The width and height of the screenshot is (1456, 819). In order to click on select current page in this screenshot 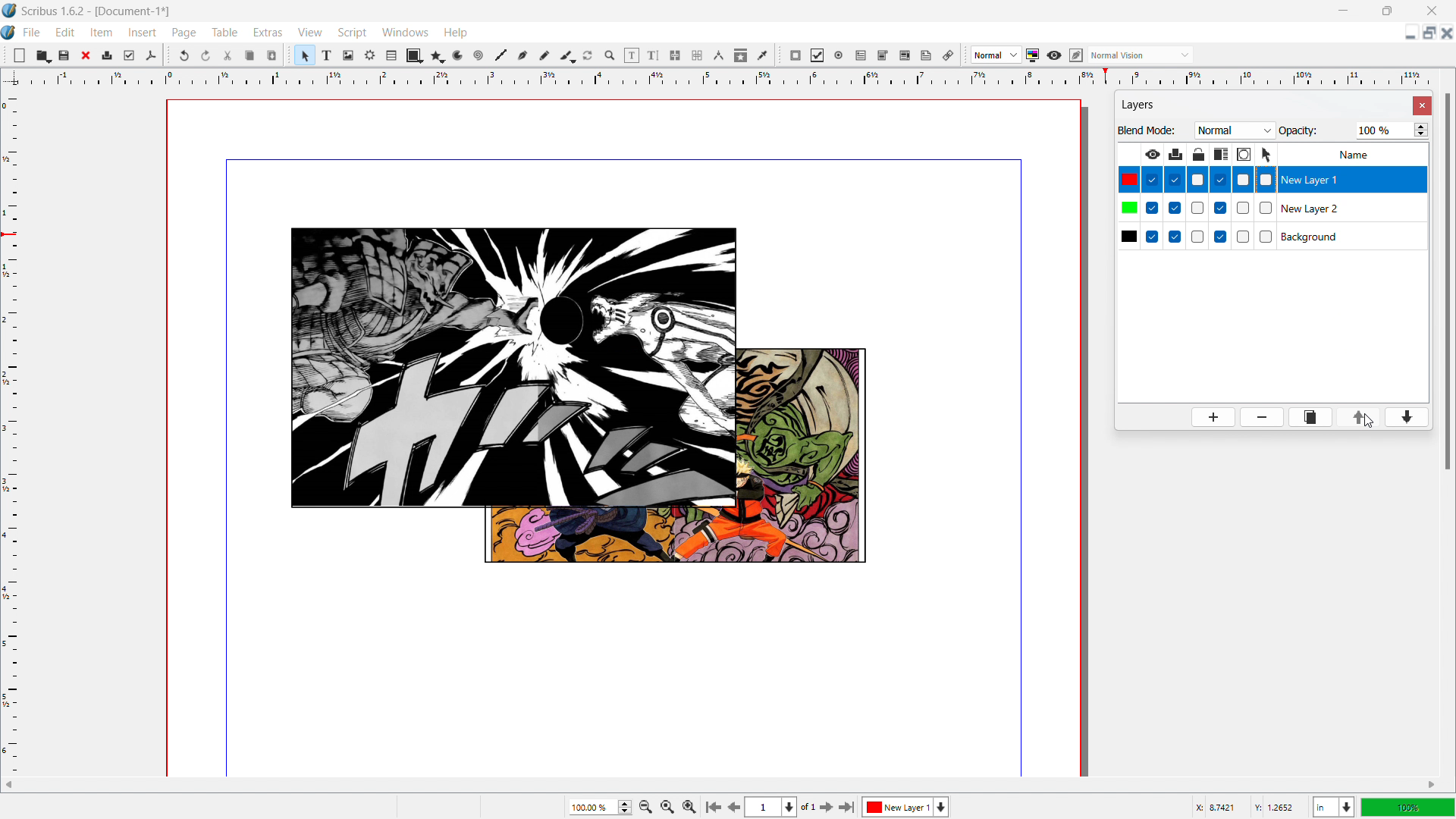, I will do `click(772, 807)`.